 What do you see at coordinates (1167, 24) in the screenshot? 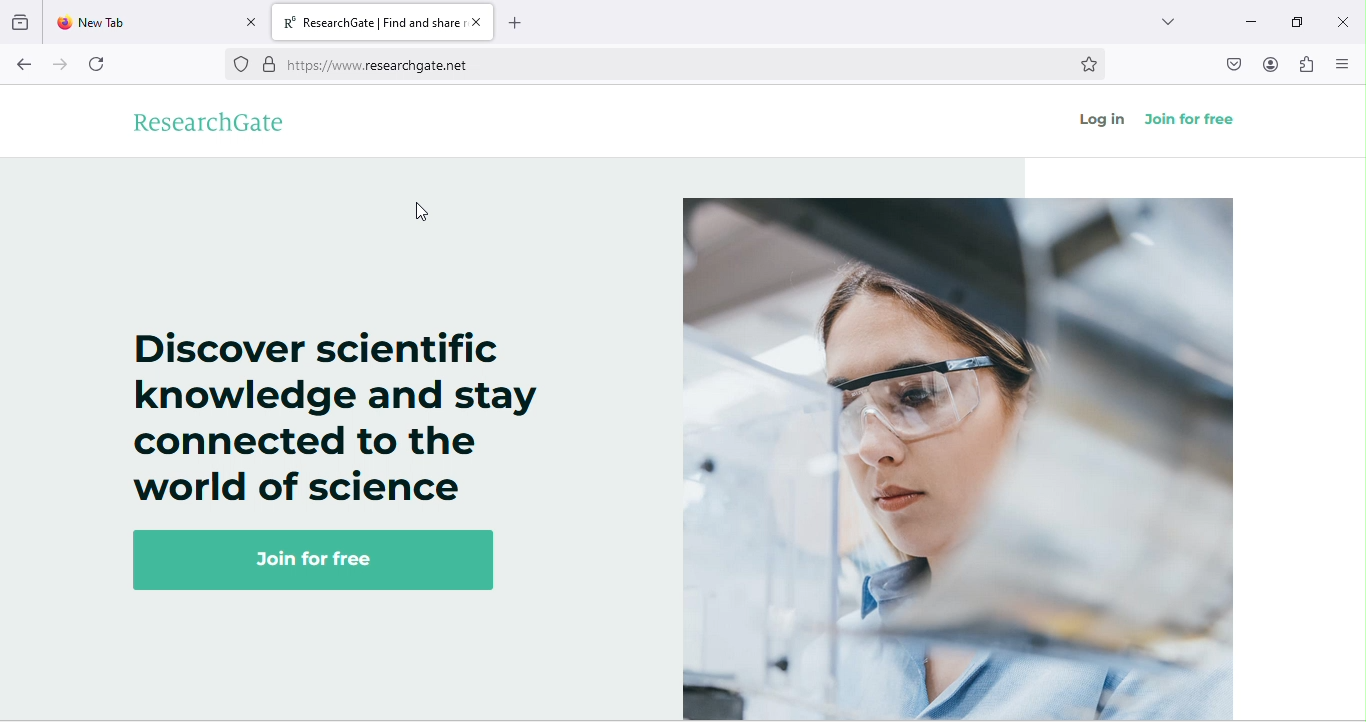
I see `more` at bounding box center [1167, 24].